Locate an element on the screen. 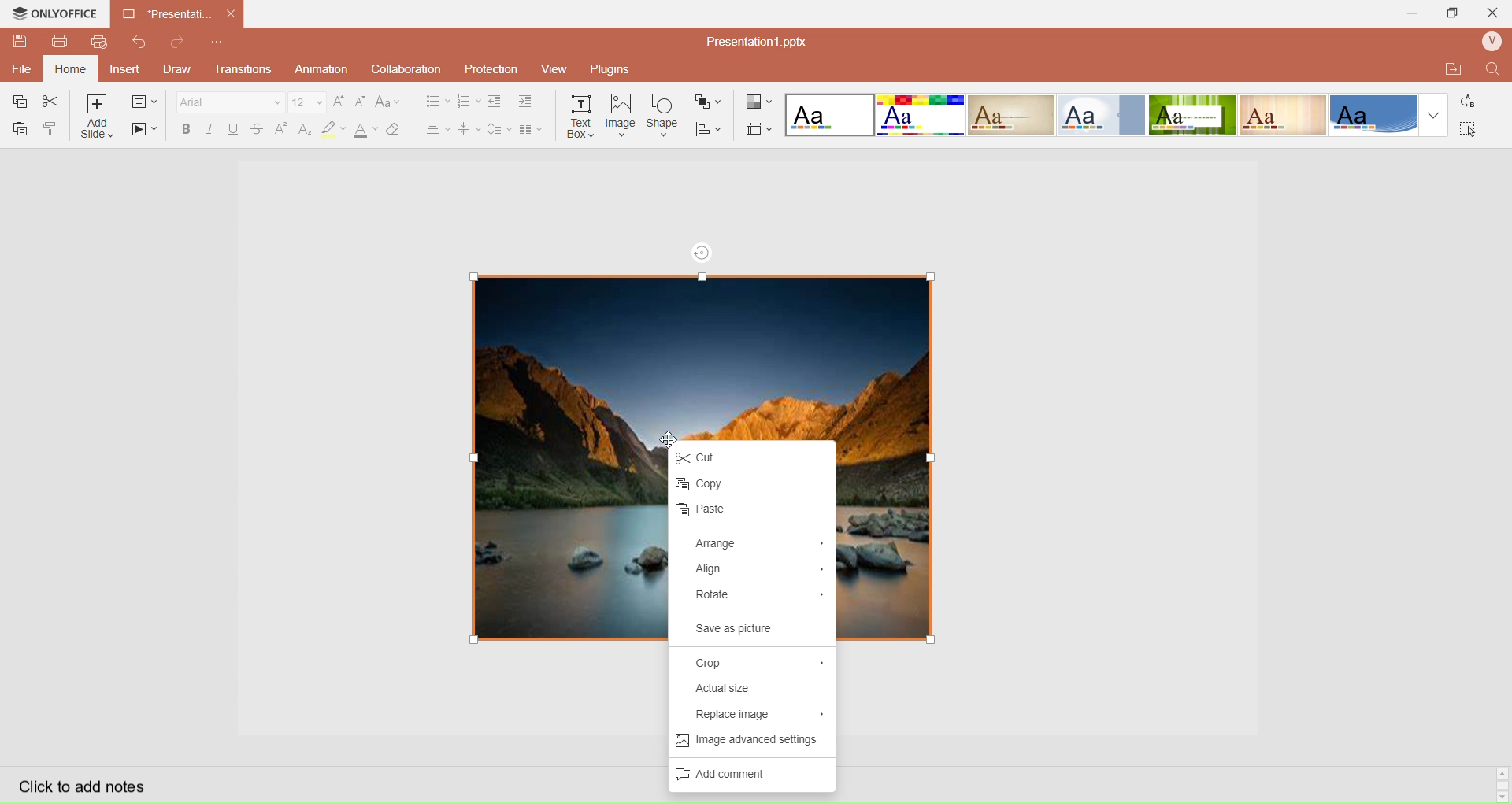  Cut is located at coordinates (751, 455).